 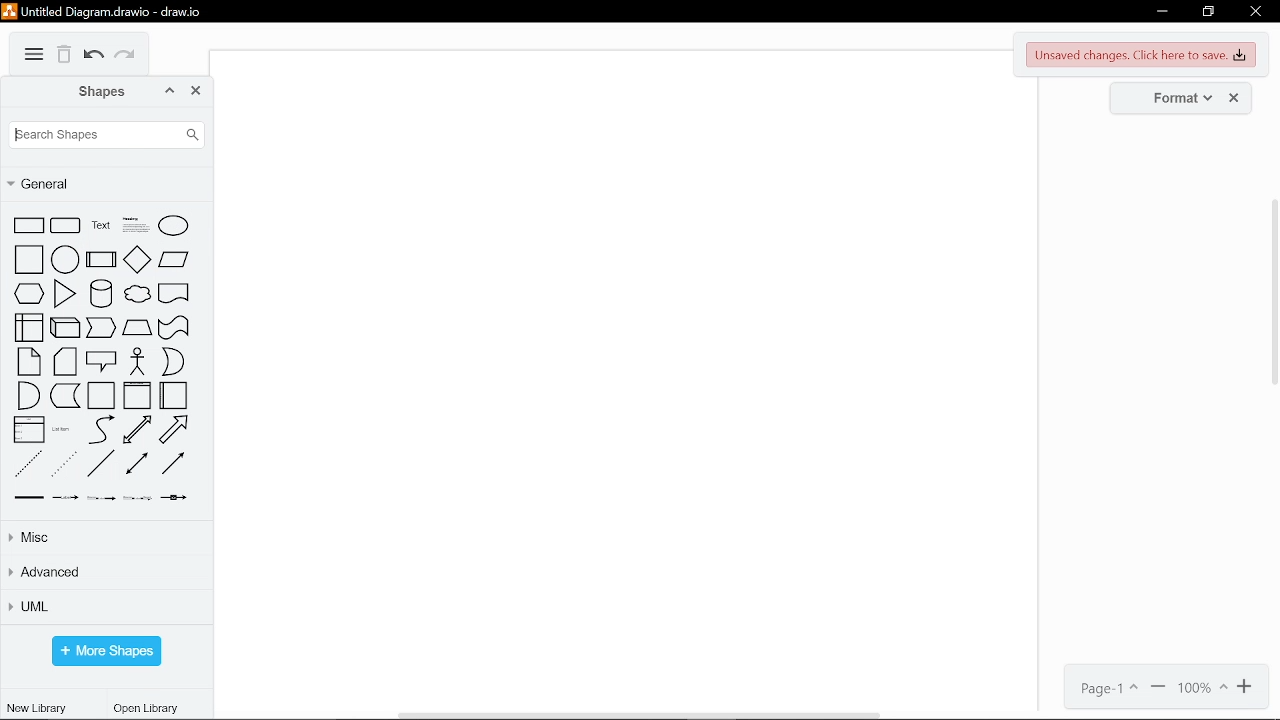 I want to click on circle, so click(x=64, y=260).